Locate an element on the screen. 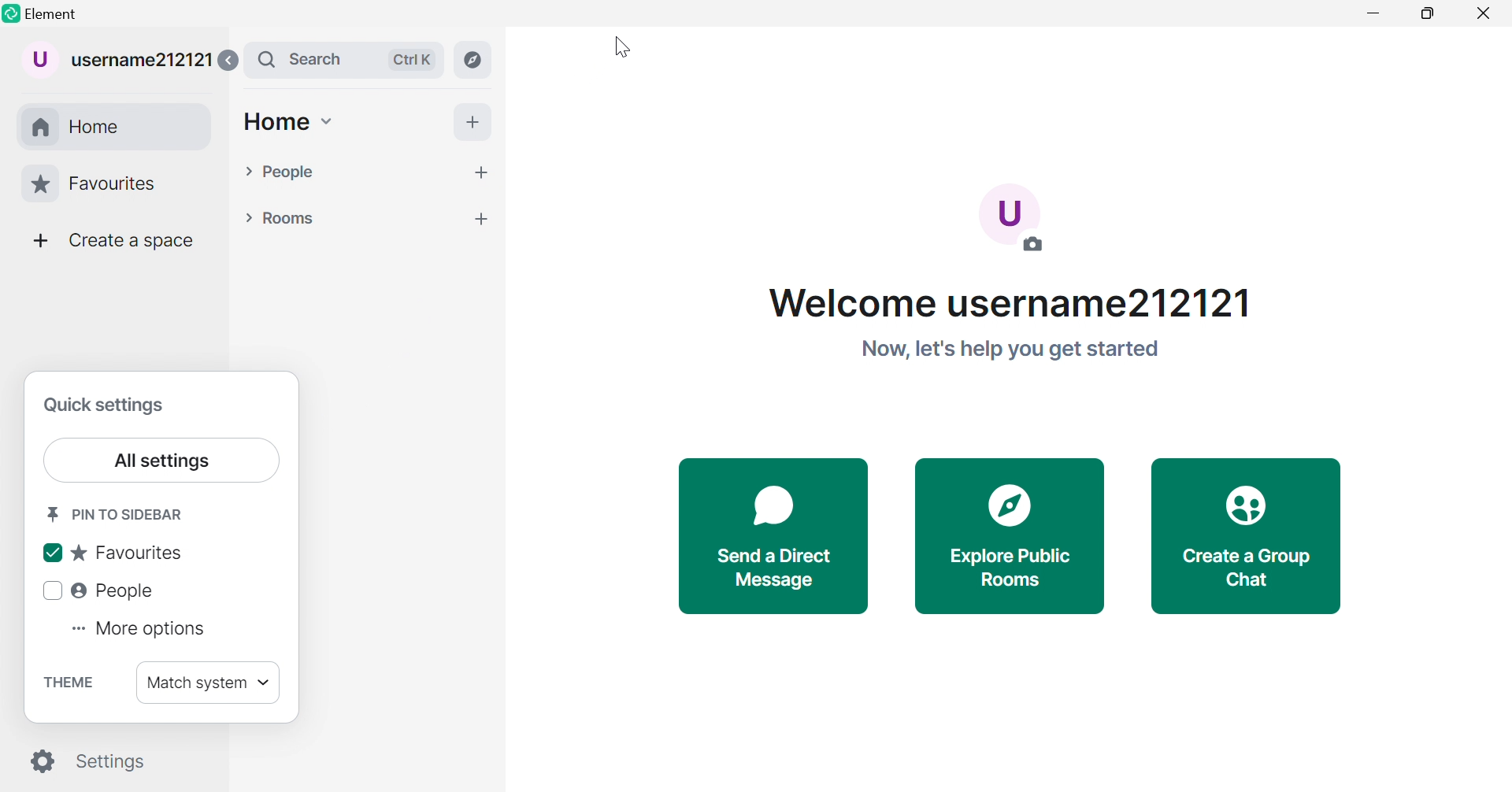 This screenshot has width=1512, height=792. Expand is located at coordinates (227, 61).